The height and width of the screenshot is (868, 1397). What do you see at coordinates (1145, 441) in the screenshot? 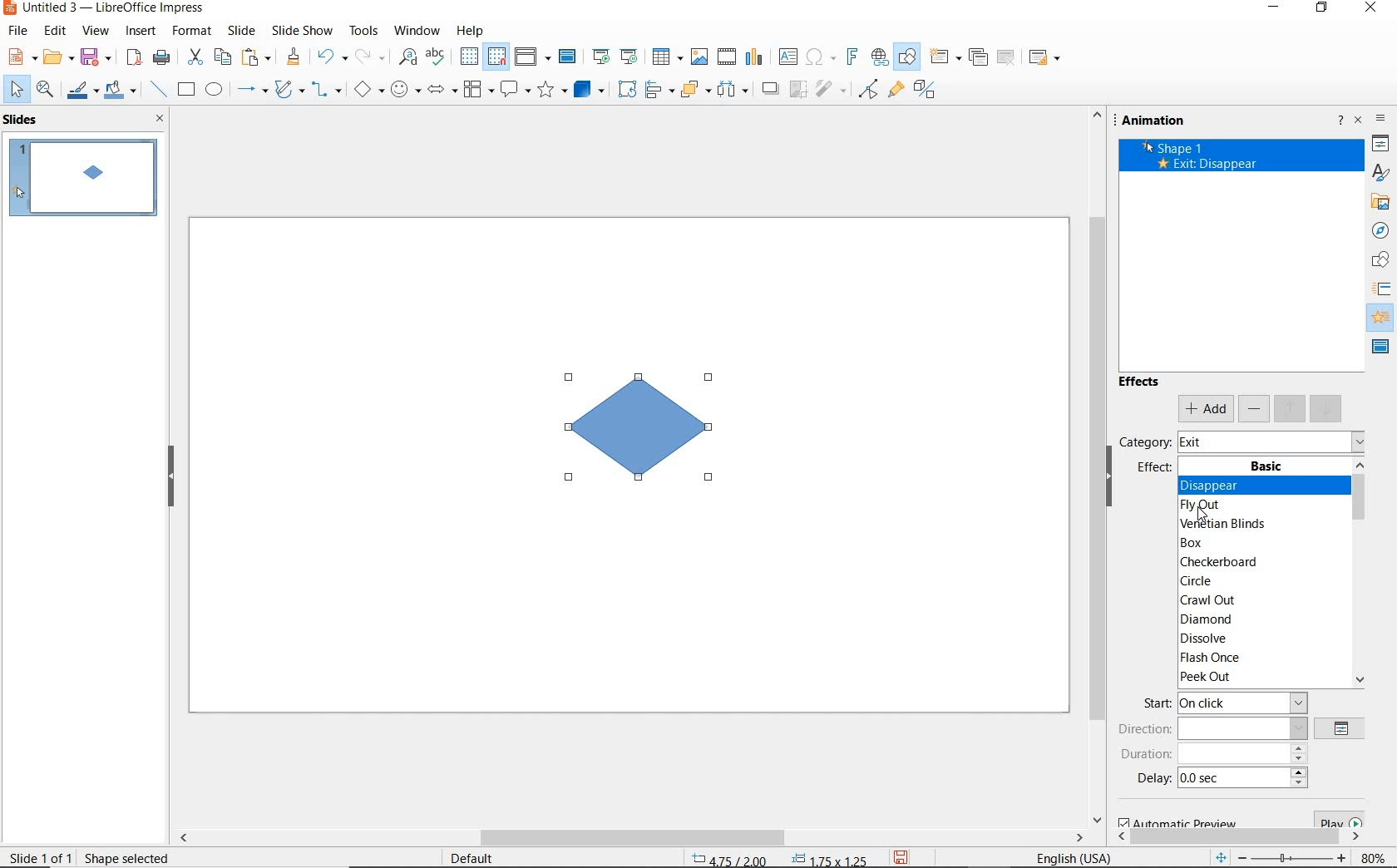
I see `category` at bounding box center [1145, 441].